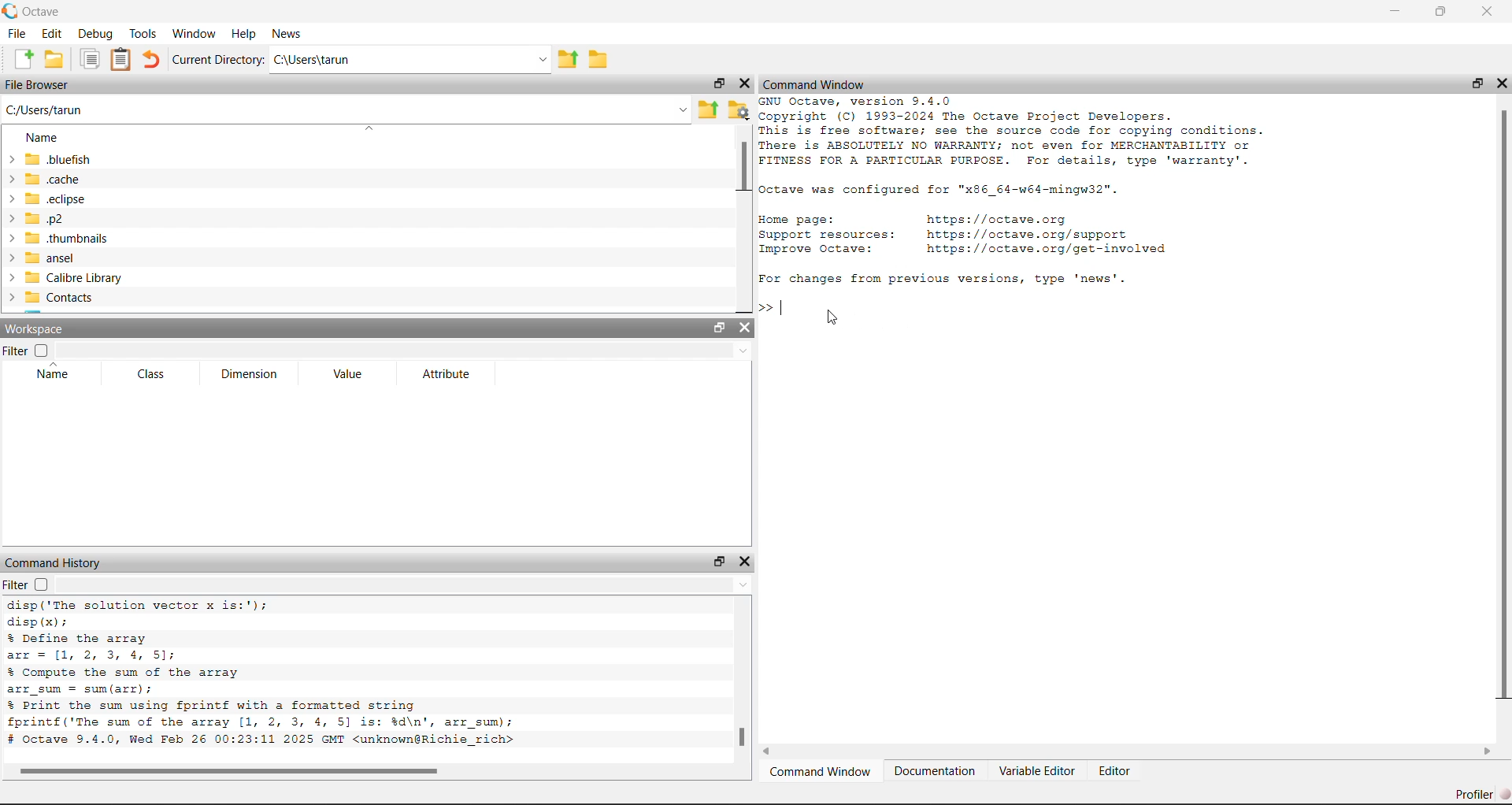 The height and width of the screenshot is (805, 1512). Describe the element at coordinates (936, 772) in the screenshot. I see `Documentation` at that location.